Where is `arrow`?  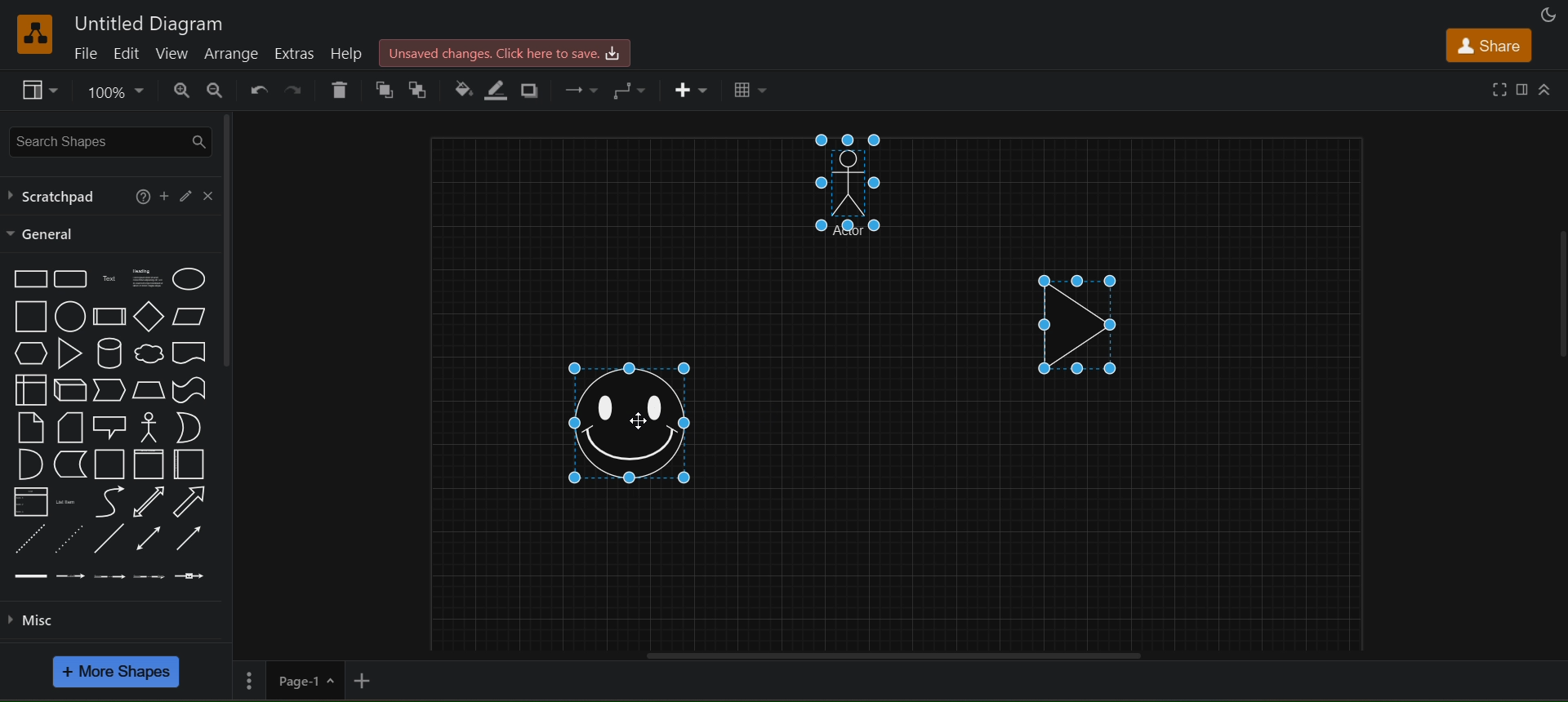
arrow is located at coordinates (192, 503).